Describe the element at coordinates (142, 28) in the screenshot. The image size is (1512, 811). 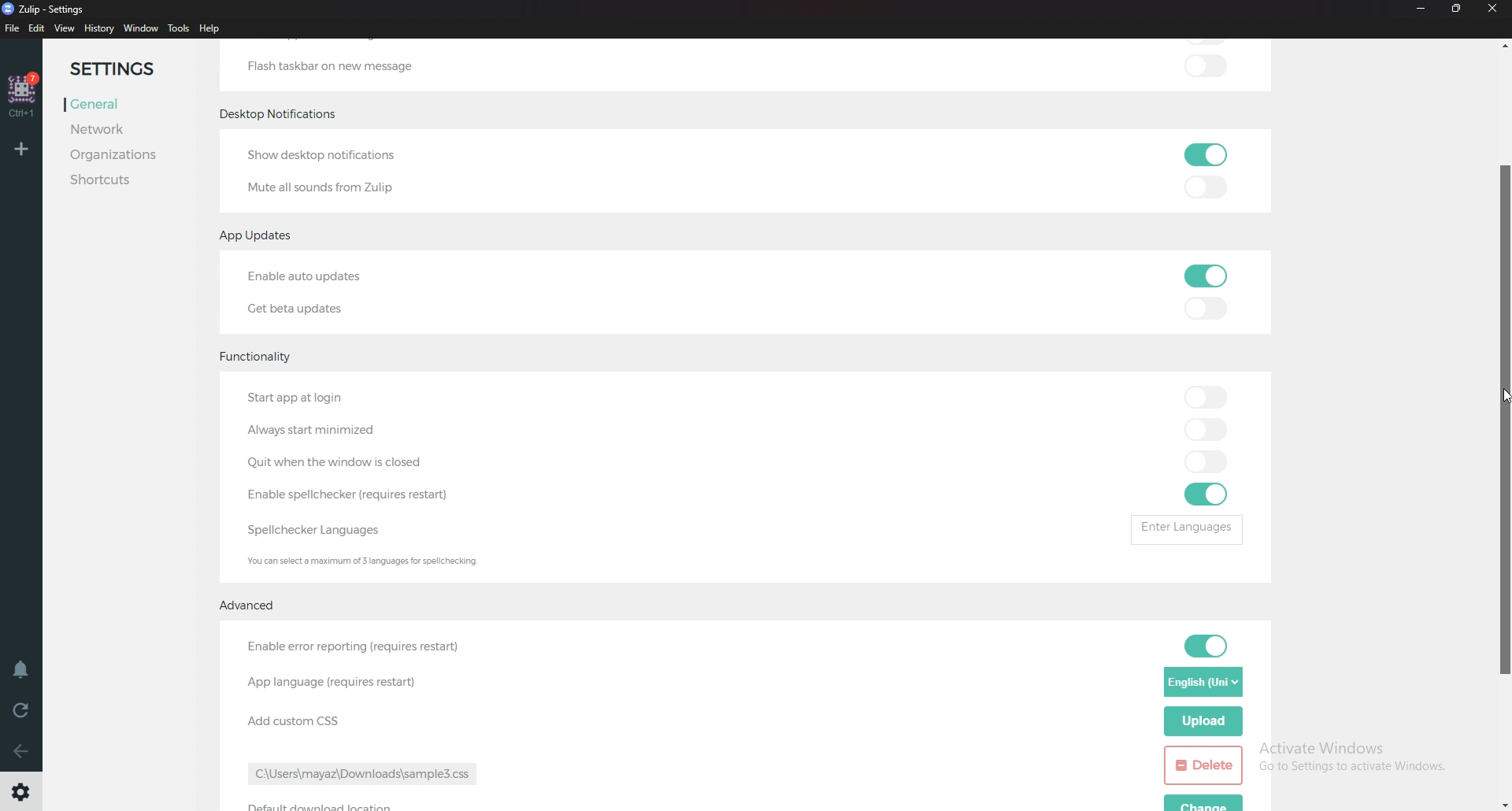
I see `Window` at that location.